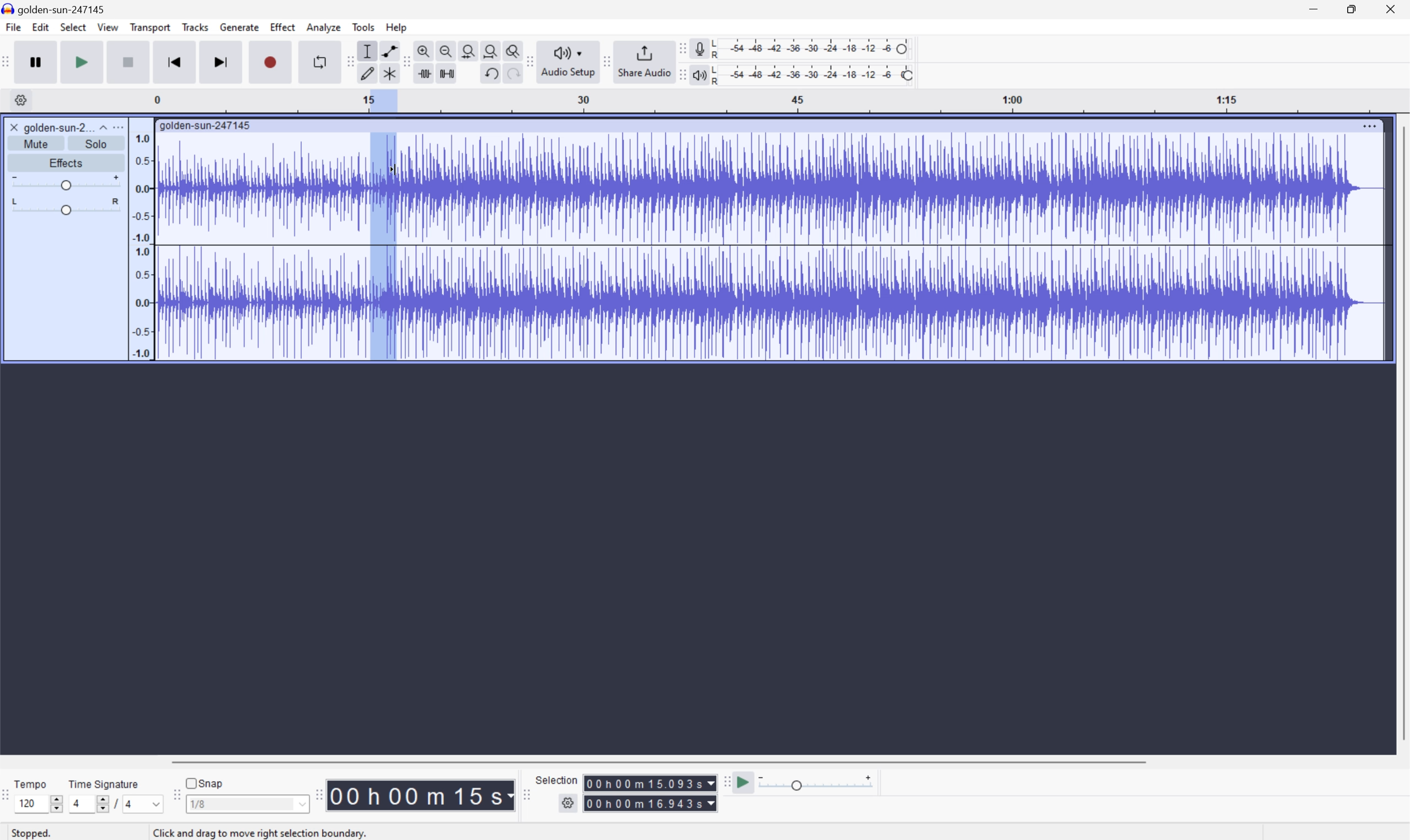  What do you see at coordinates (347, 62) in the screenshot?
I see `Audacity Edit toolbar` at bounding box center [347, 62].